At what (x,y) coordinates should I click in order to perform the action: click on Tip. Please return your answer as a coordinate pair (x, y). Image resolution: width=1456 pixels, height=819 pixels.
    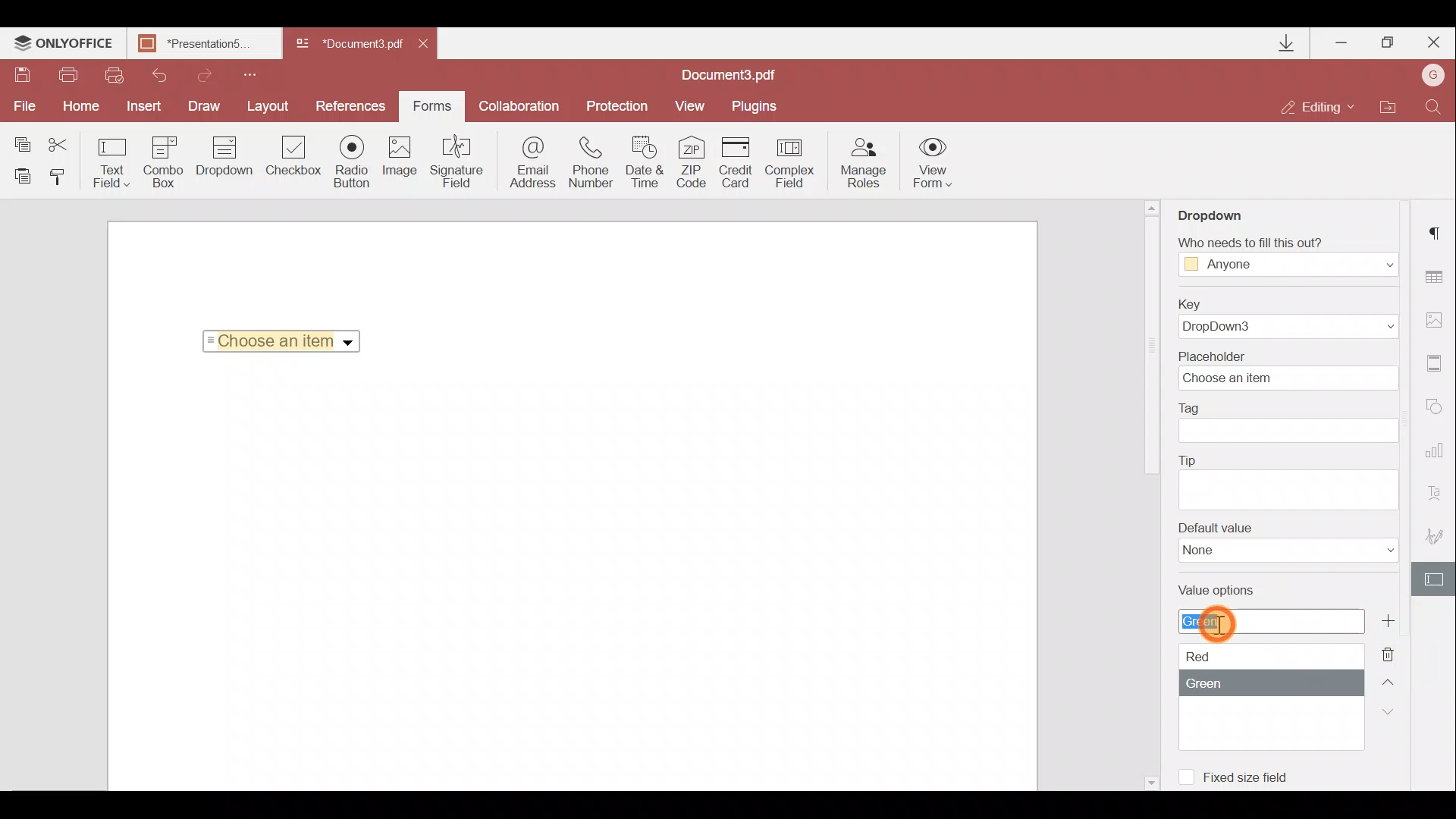
    Looking at the image, I should click on (1288, 480).